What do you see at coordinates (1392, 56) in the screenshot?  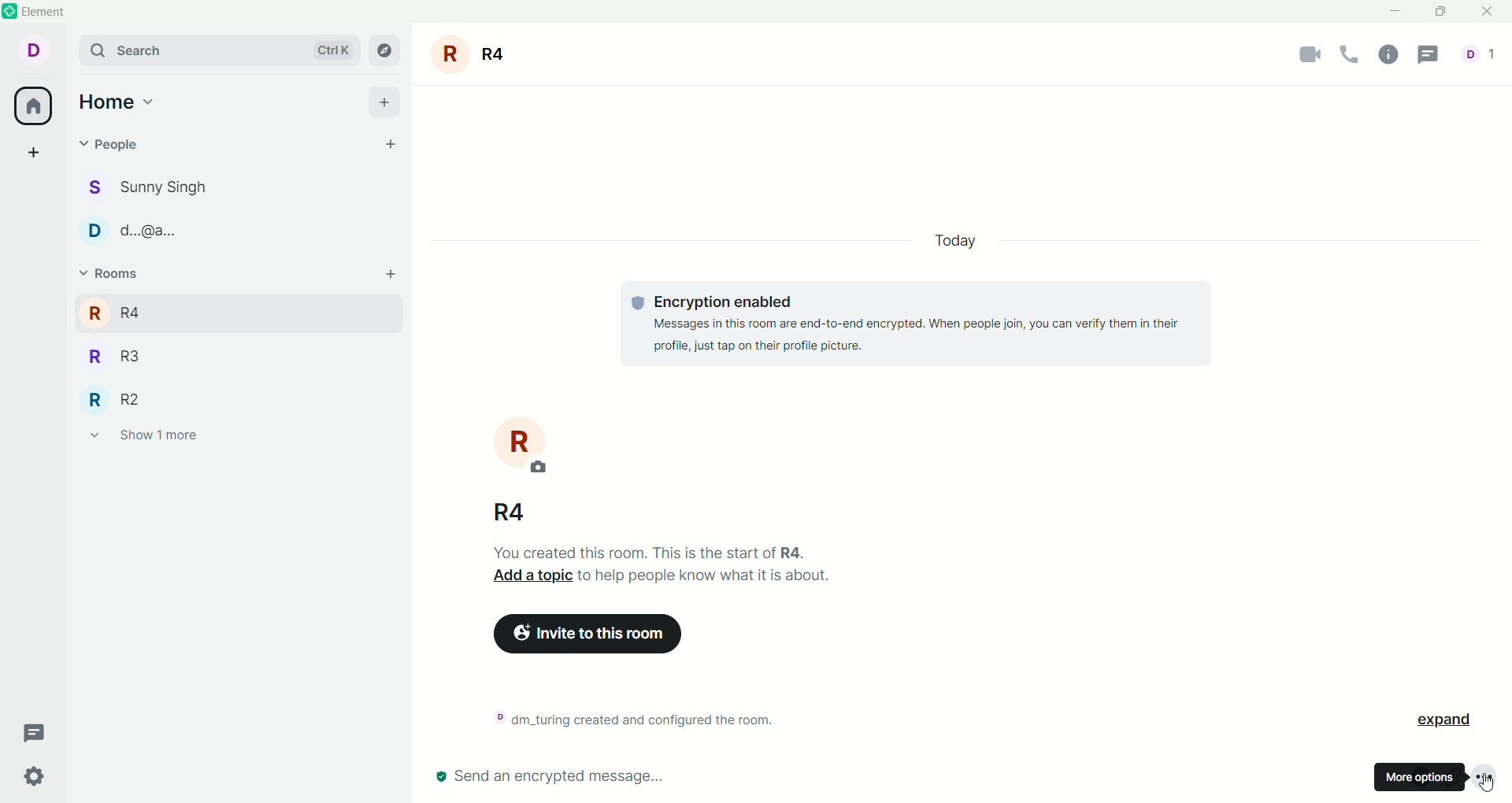 I see `room info` at bounding box center [1392, 56].